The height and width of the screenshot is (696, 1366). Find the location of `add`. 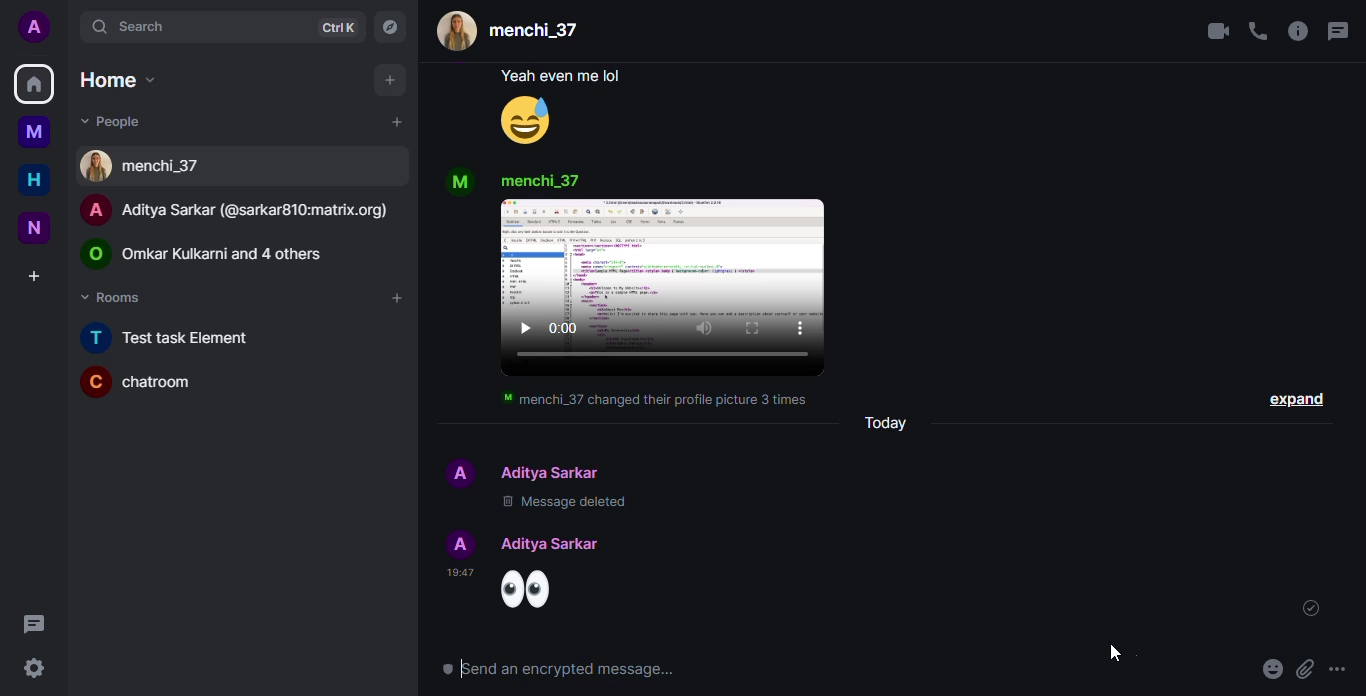

add is located at coordinates (394, 122).